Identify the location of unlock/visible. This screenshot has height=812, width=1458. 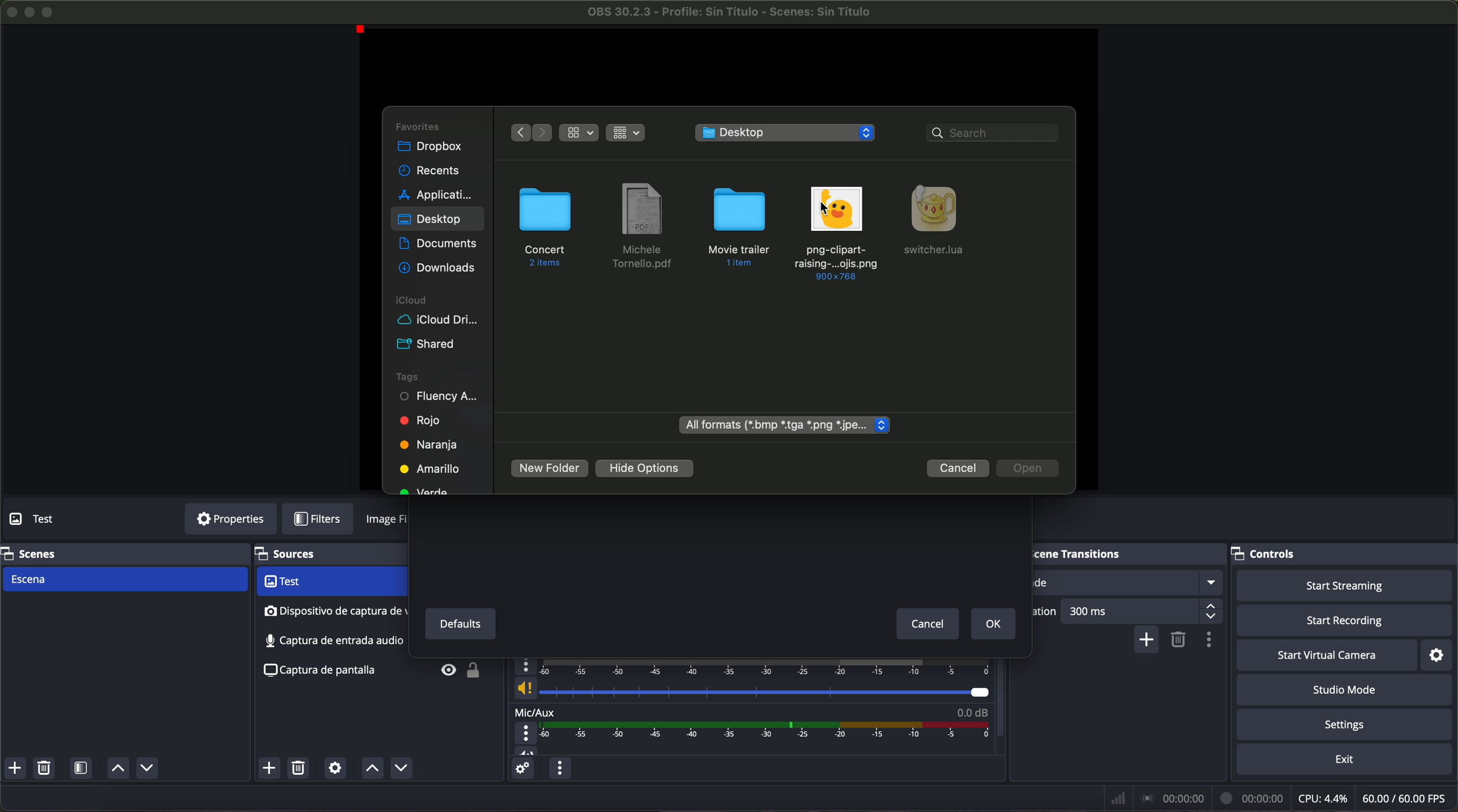
(456, 672).